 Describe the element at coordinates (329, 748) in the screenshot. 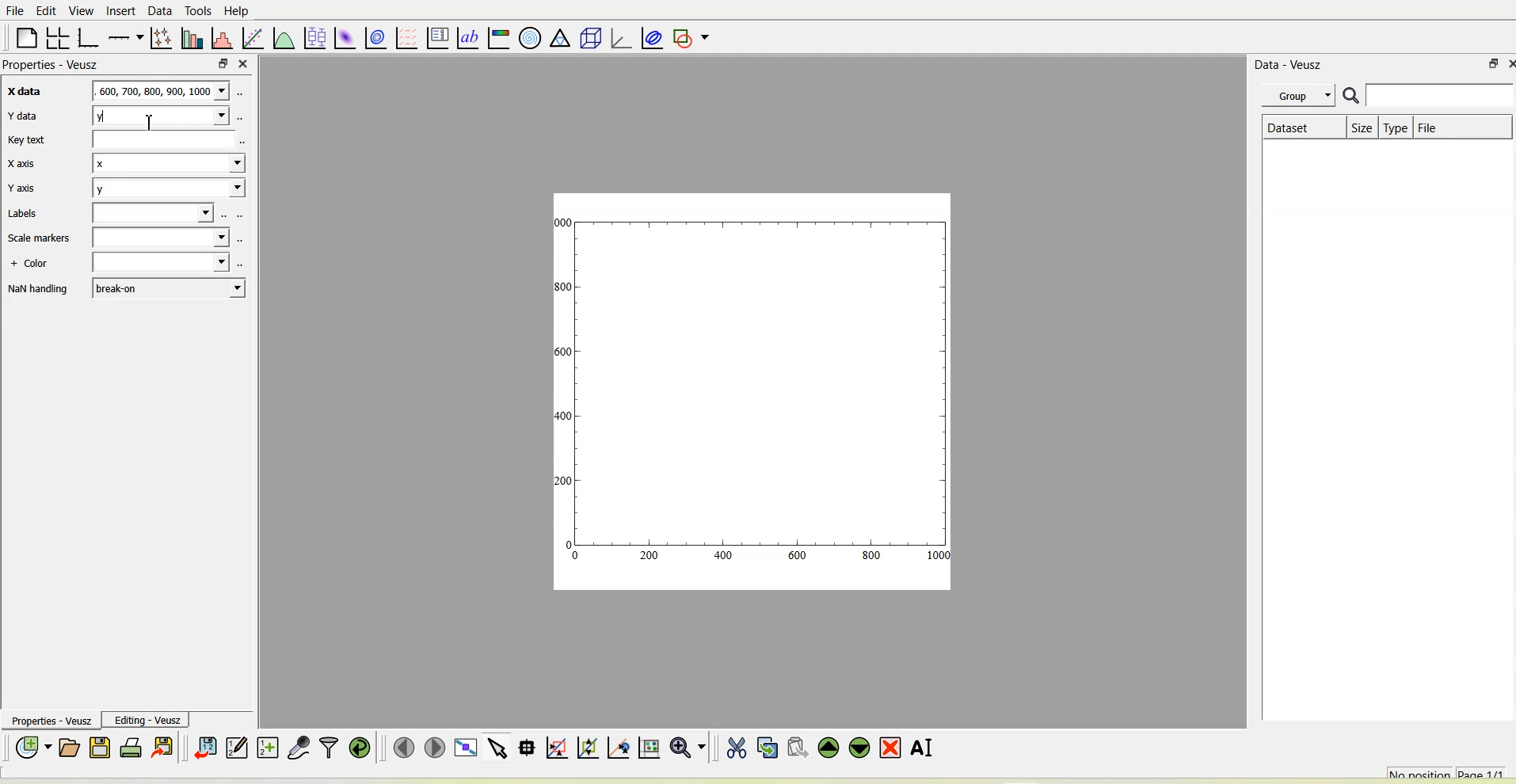

I see `Filter data` at that location.